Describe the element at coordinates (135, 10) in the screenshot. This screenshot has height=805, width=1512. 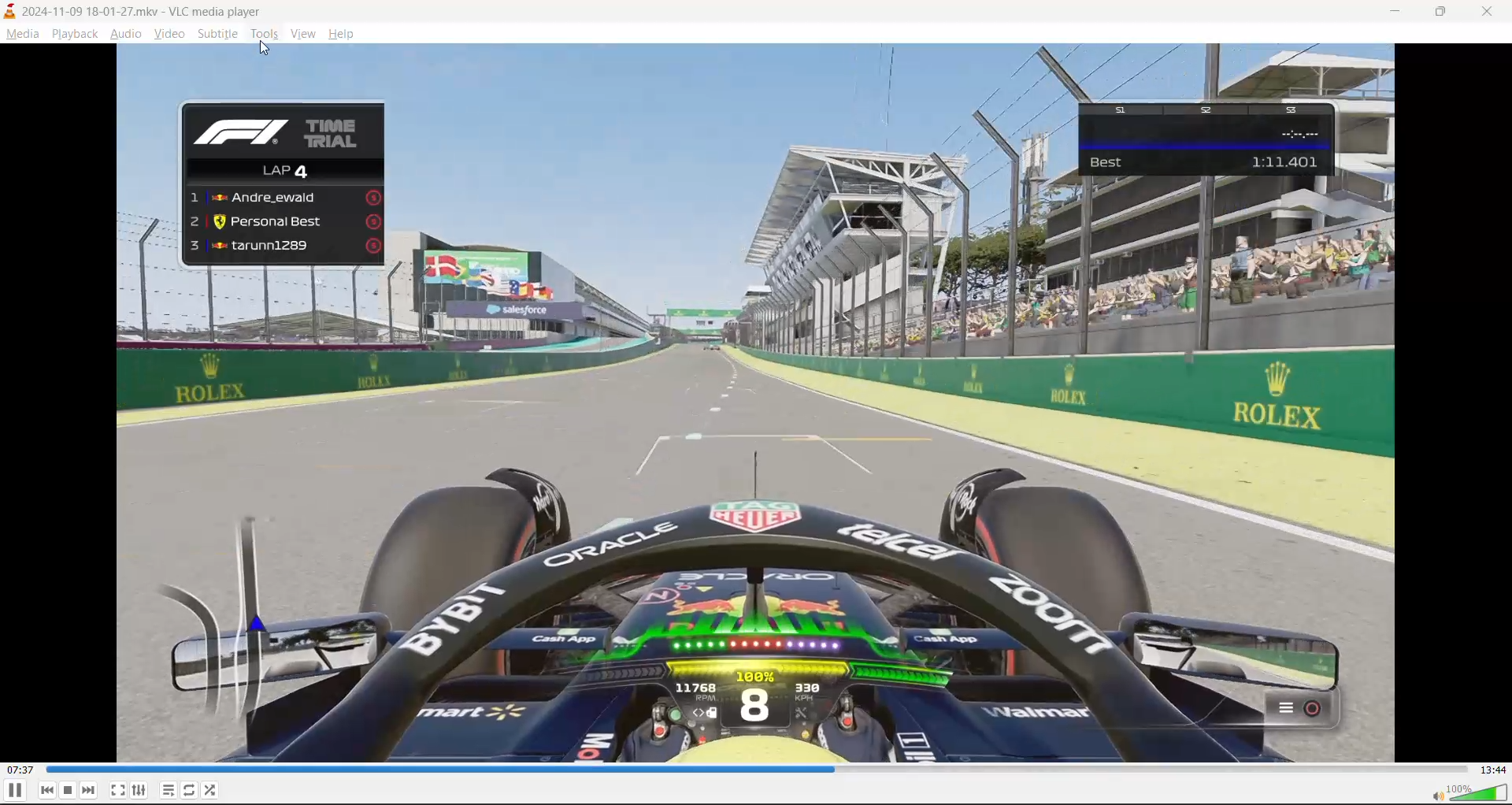
I see `track and app name` at that location.